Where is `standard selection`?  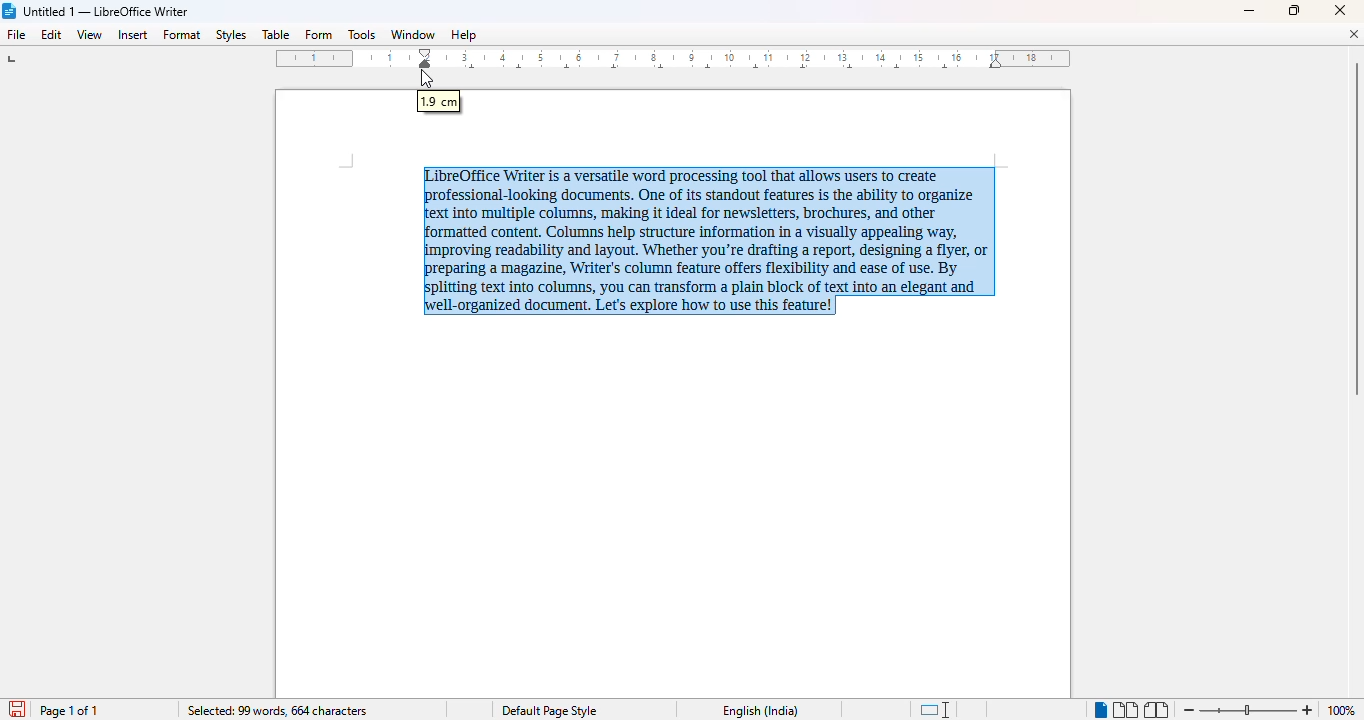 standard selection is located at coordinates (936, 709).